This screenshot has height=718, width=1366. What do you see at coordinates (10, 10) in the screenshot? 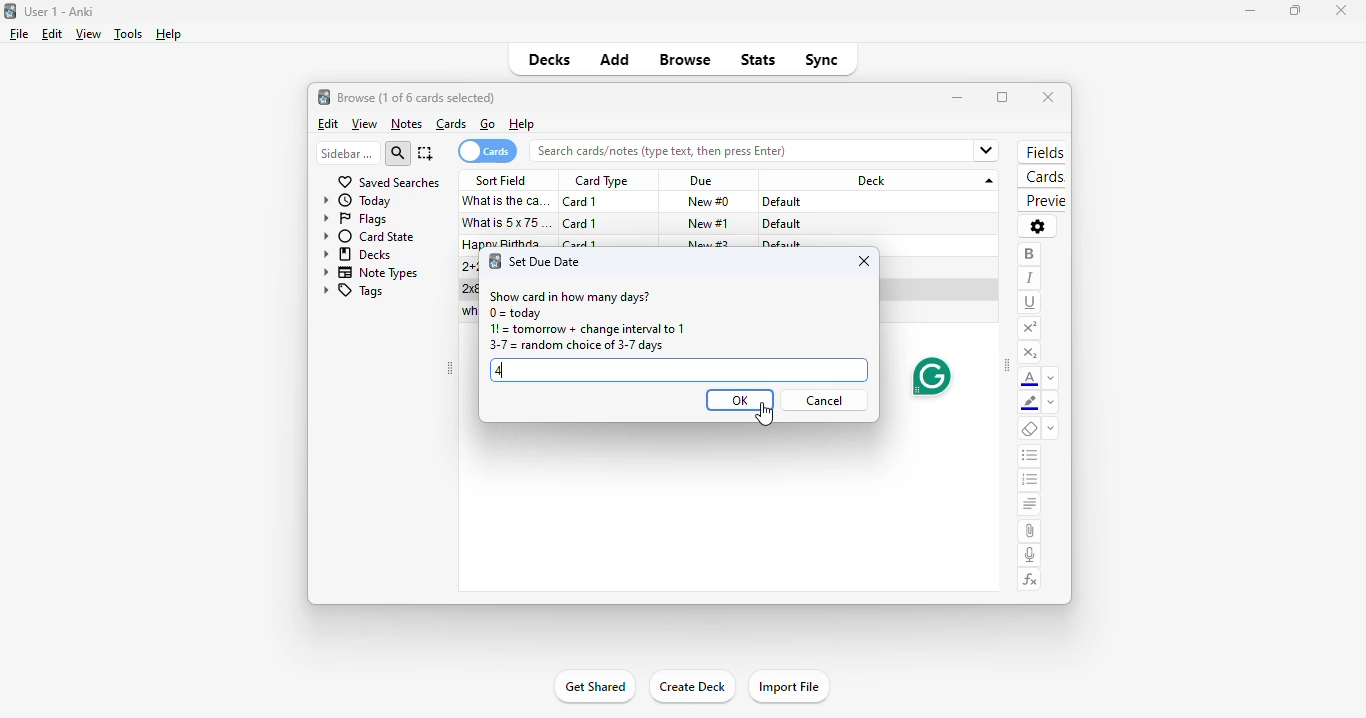
I see `logo` at bounding box center [10, 10].